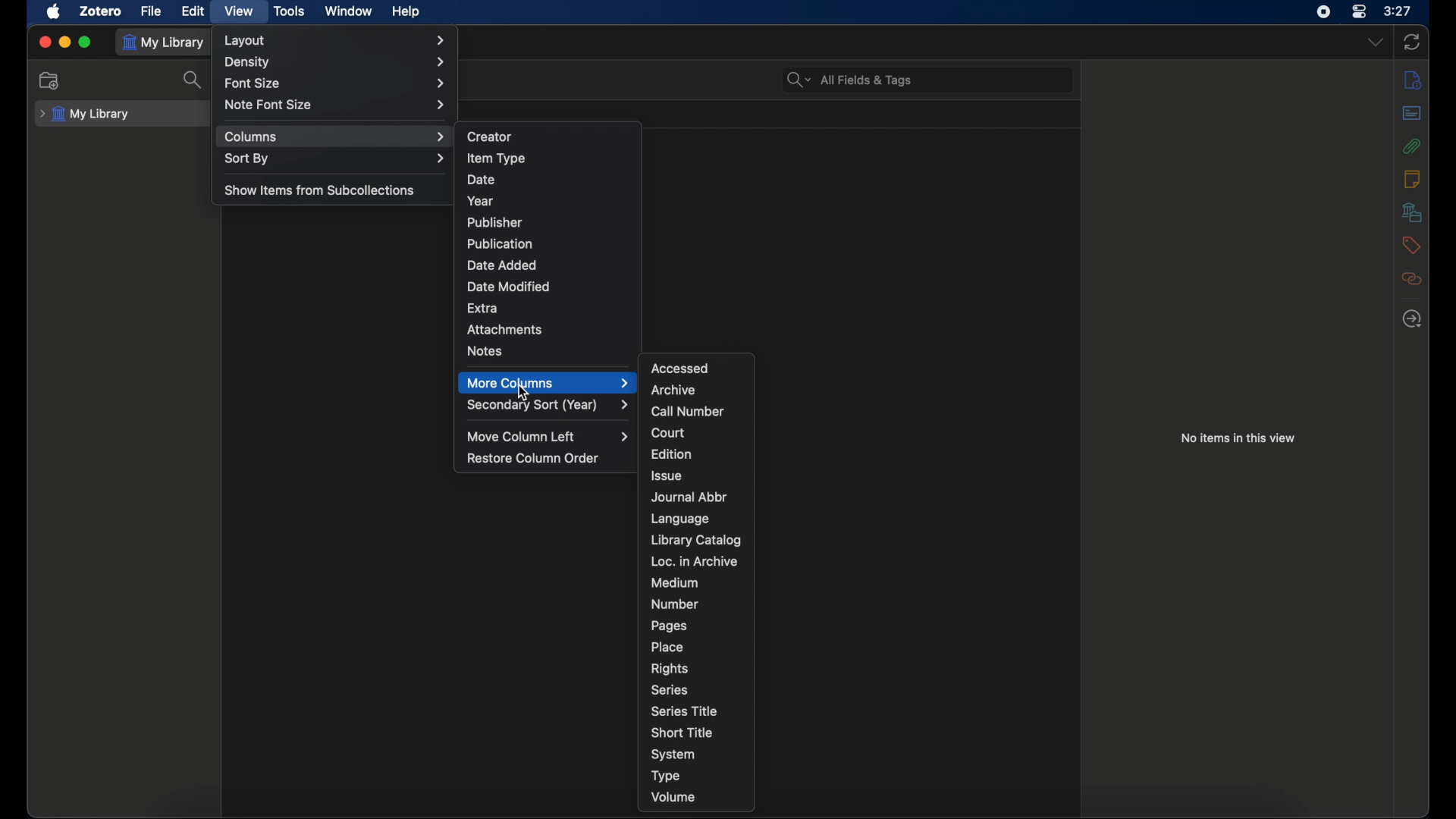 The width and height of the screenshot is (1456, 819). Describe the element at coordinates (850, 80) in the screenshot. I see `all fields & tags` at that location.